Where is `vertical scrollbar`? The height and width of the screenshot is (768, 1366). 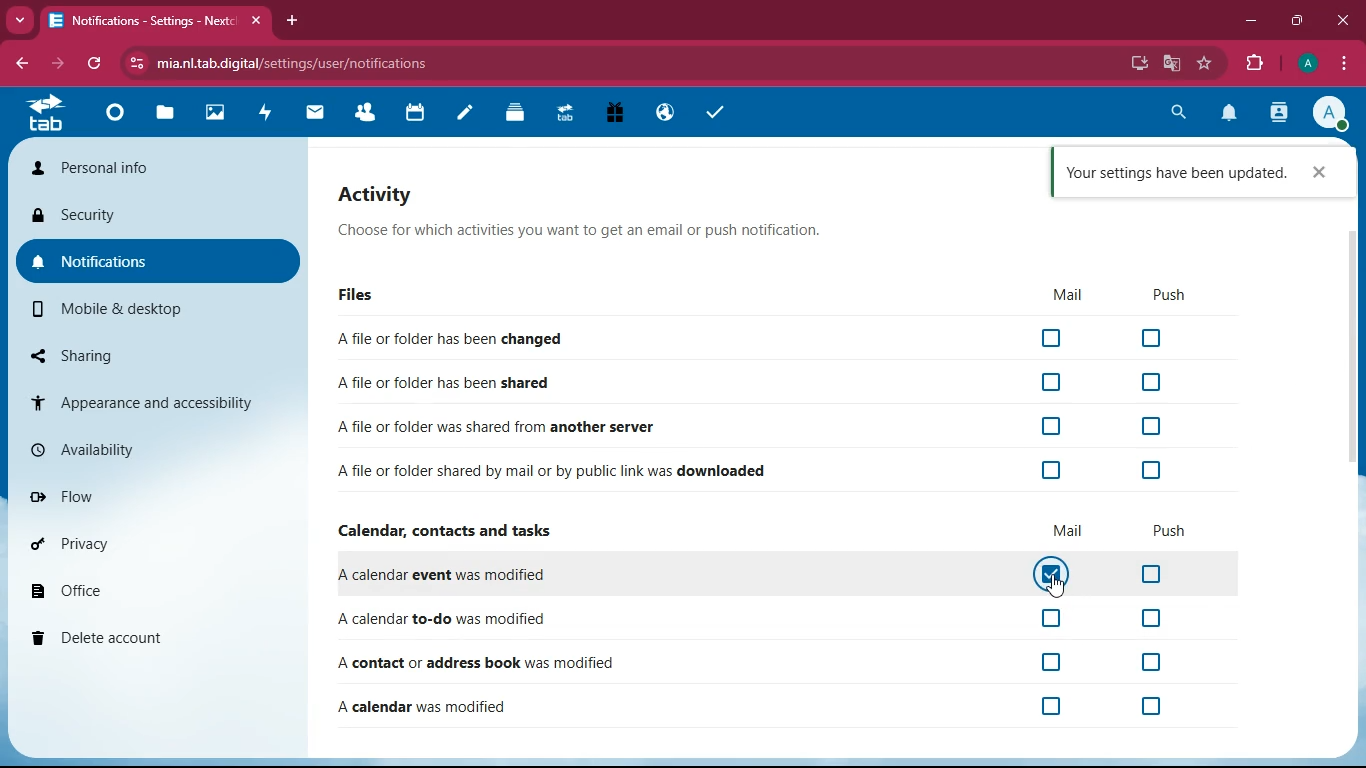 vertical scrollbar is located at coordinates (1351, 347).